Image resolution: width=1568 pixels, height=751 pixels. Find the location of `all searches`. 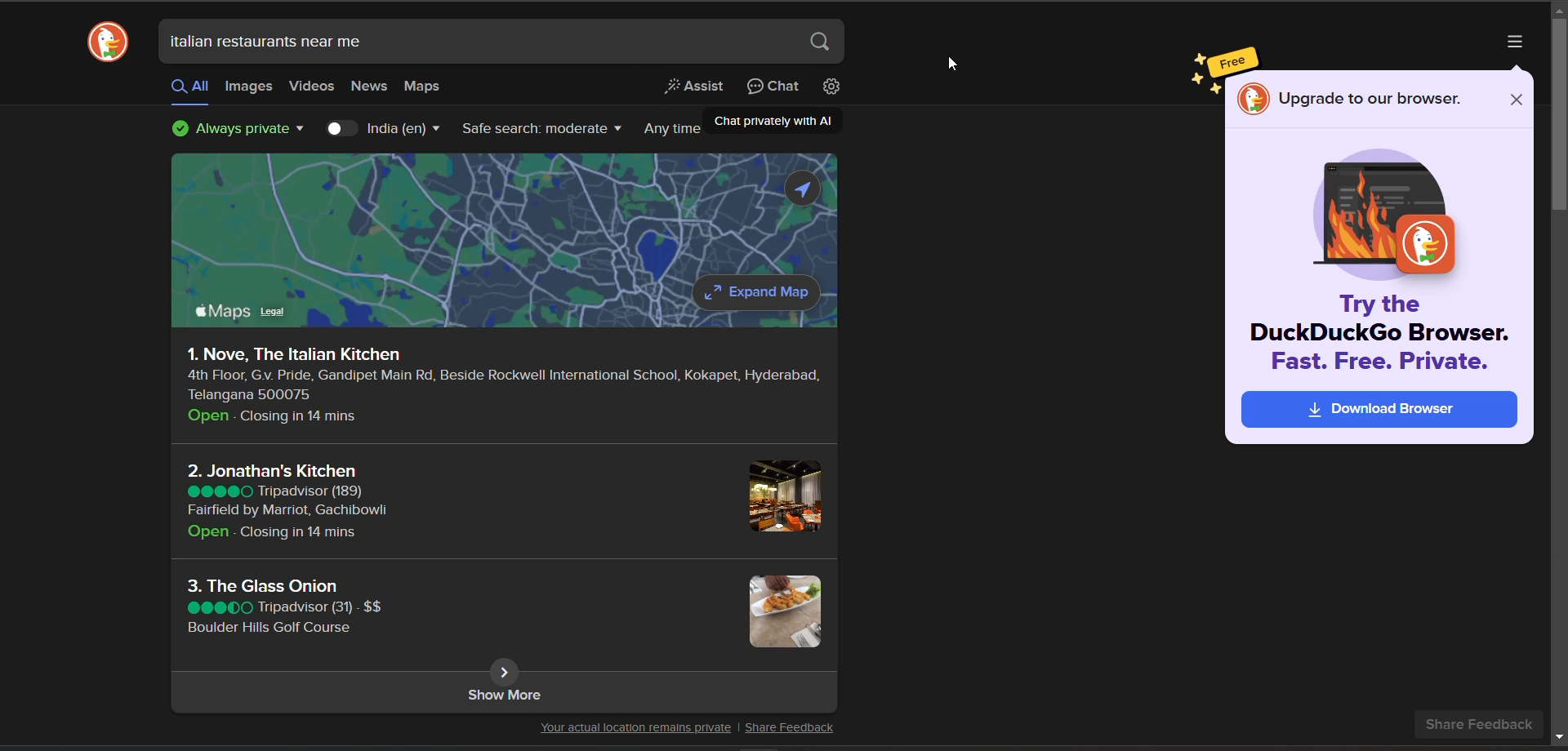

all searches is located at coordinates (190, 89).